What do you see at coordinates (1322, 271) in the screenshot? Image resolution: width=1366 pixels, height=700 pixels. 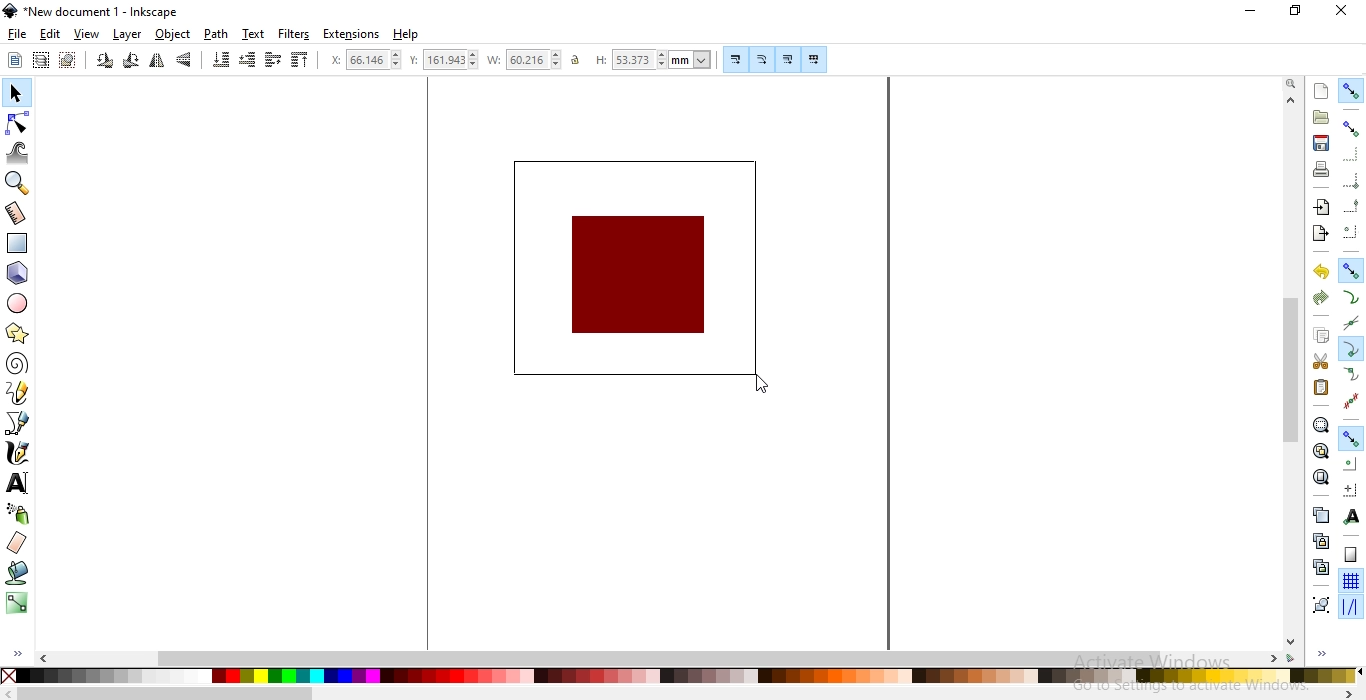 I see `undo an action` at bounding box center [1322, 271].